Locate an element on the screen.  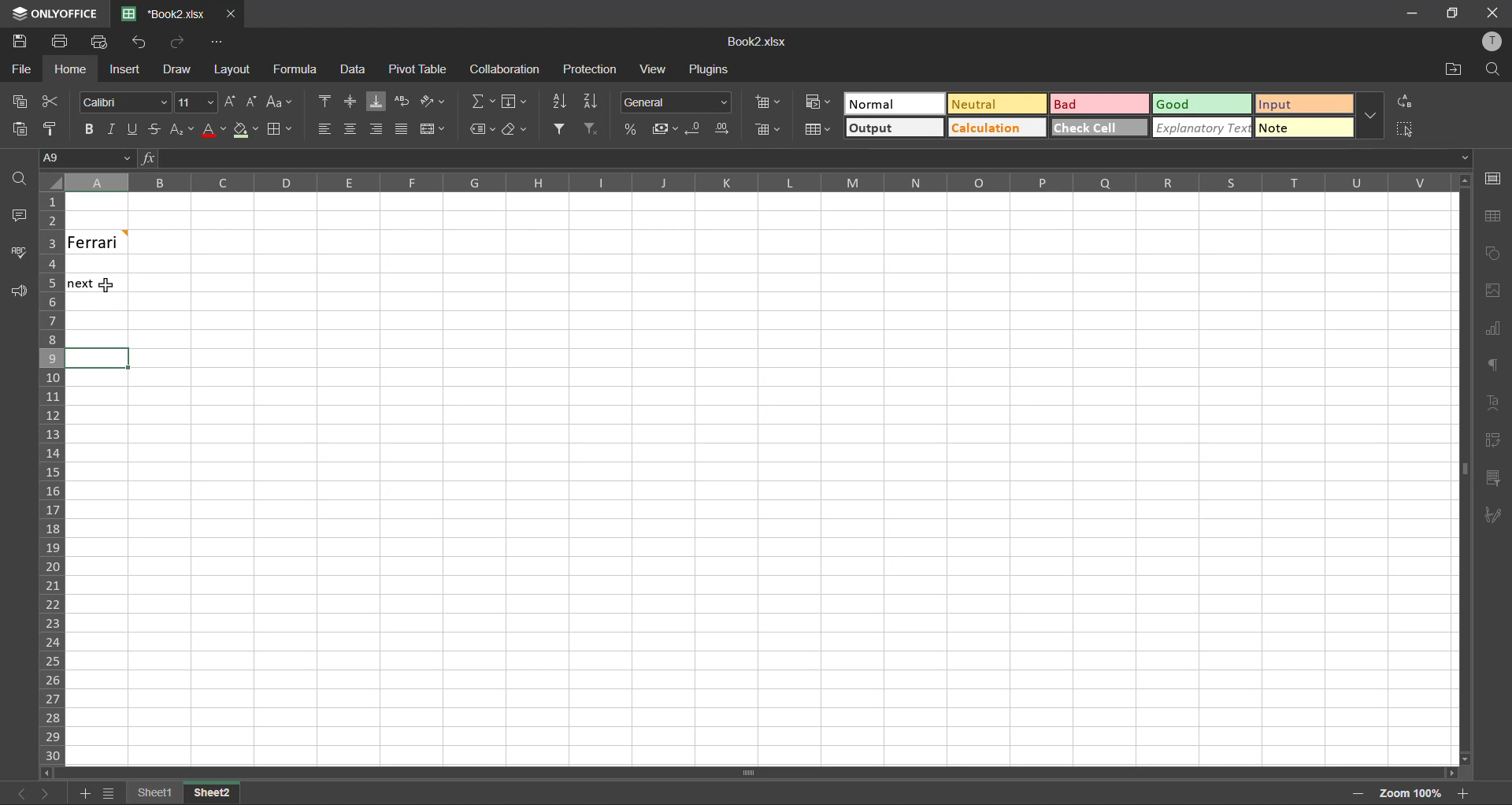
save is located at coordinates (19, 42).